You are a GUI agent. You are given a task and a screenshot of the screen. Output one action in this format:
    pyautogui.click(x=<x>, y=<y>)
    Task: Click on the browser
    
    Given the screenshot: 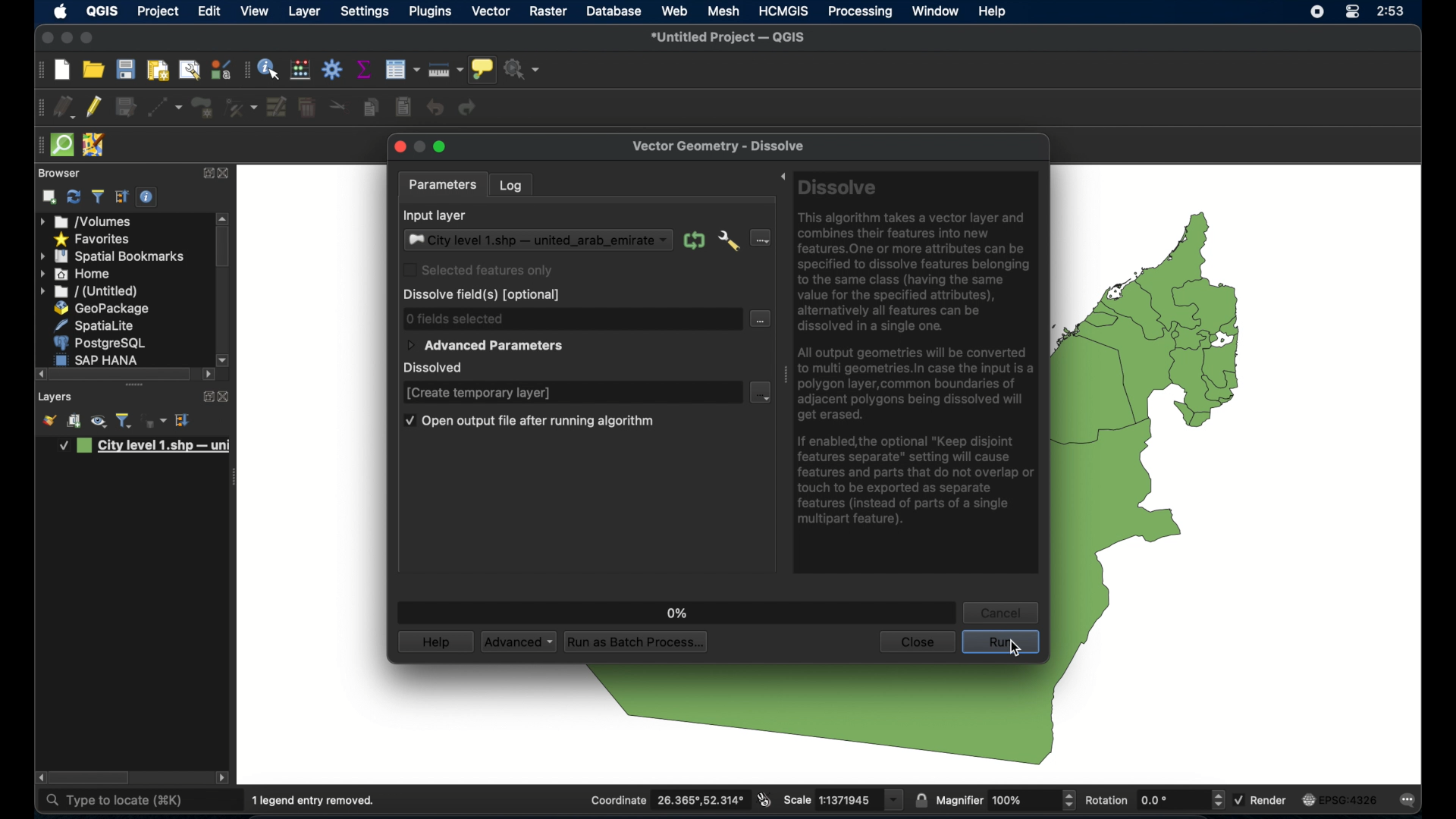 What is the action you would take?
    pyautogui.click(x=57, y=172)
    